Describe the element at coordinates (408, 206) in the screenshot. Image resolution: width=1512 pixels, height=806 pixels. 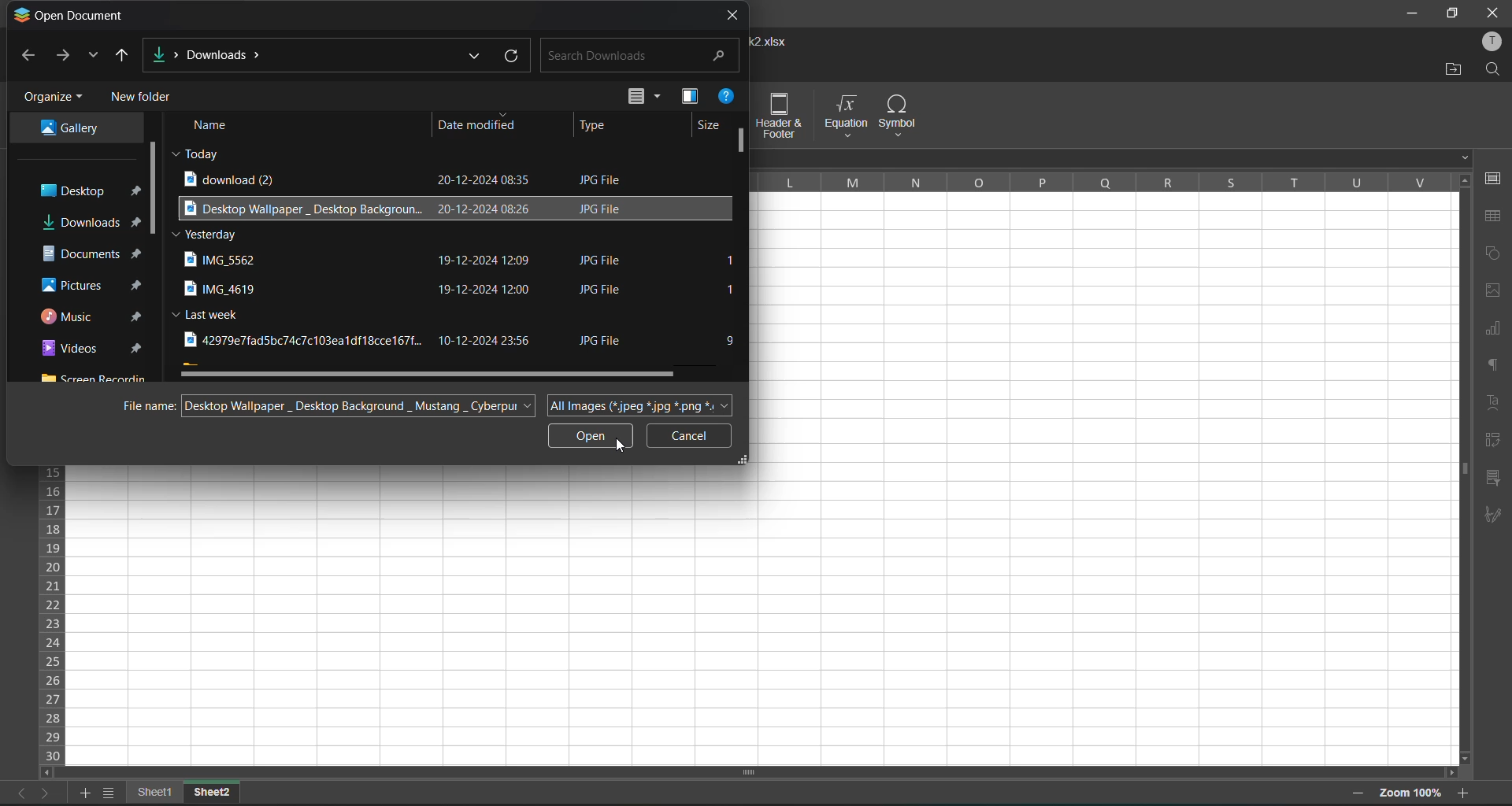
I see `Desktop Wallpaper Desktop Backgroun.. 20-12-2024 08:26 JPG File` at that location.